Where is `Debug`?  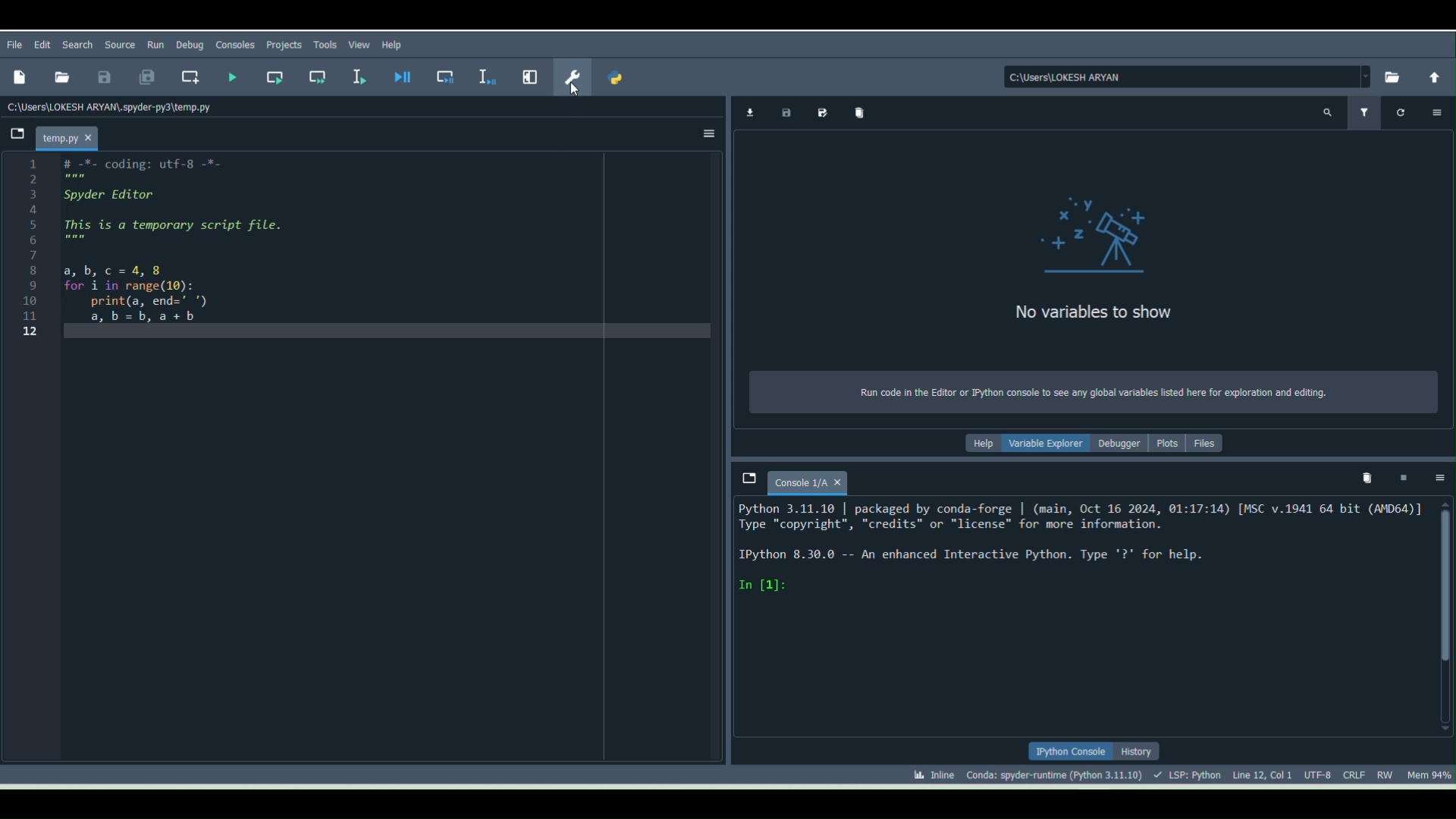 Debug is located at coordinates (190, 45).